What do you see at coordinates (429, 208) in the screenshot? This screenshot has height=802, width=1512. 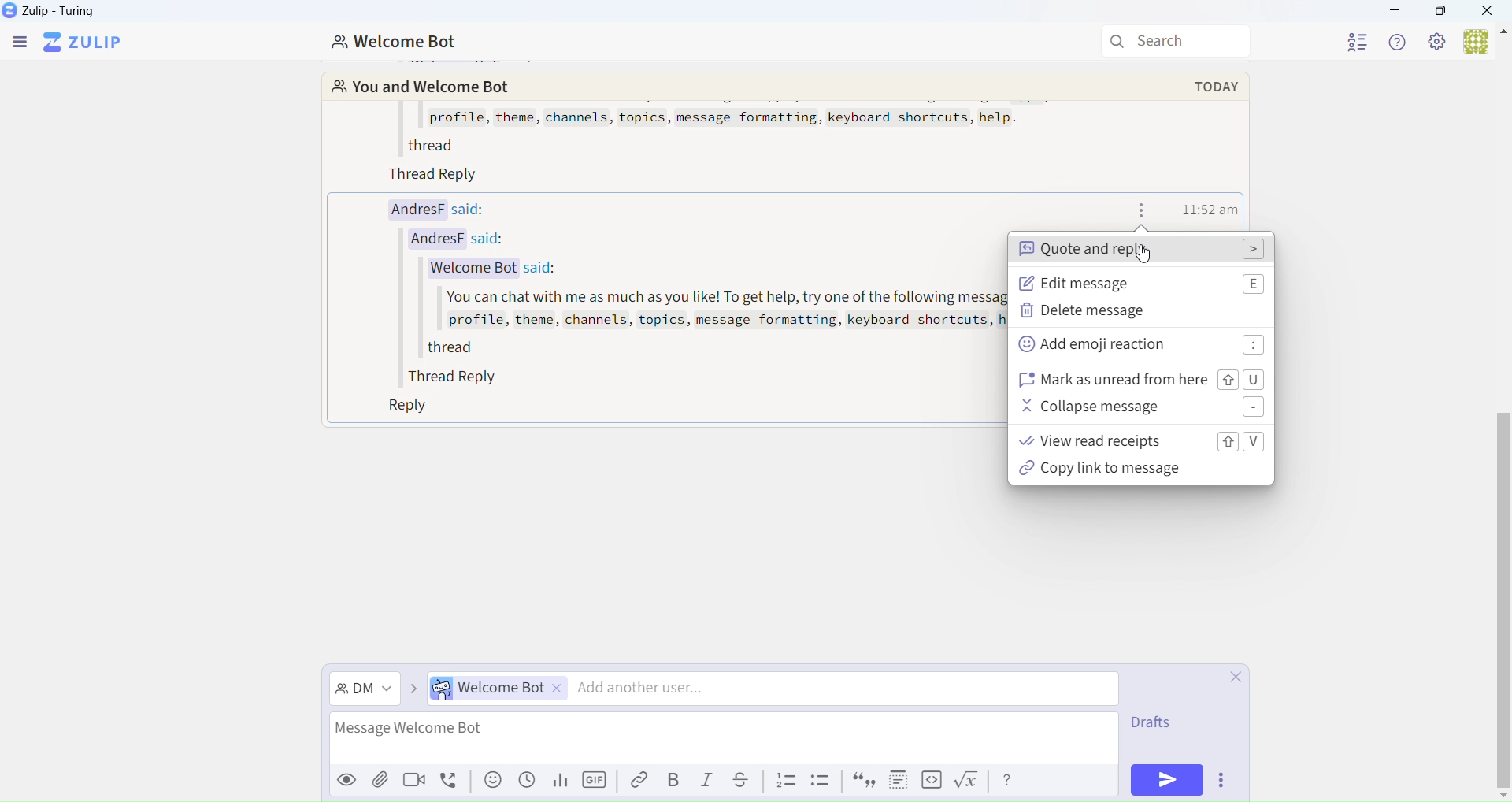 I see `AndresF said:` at bounding box center [429, 208].